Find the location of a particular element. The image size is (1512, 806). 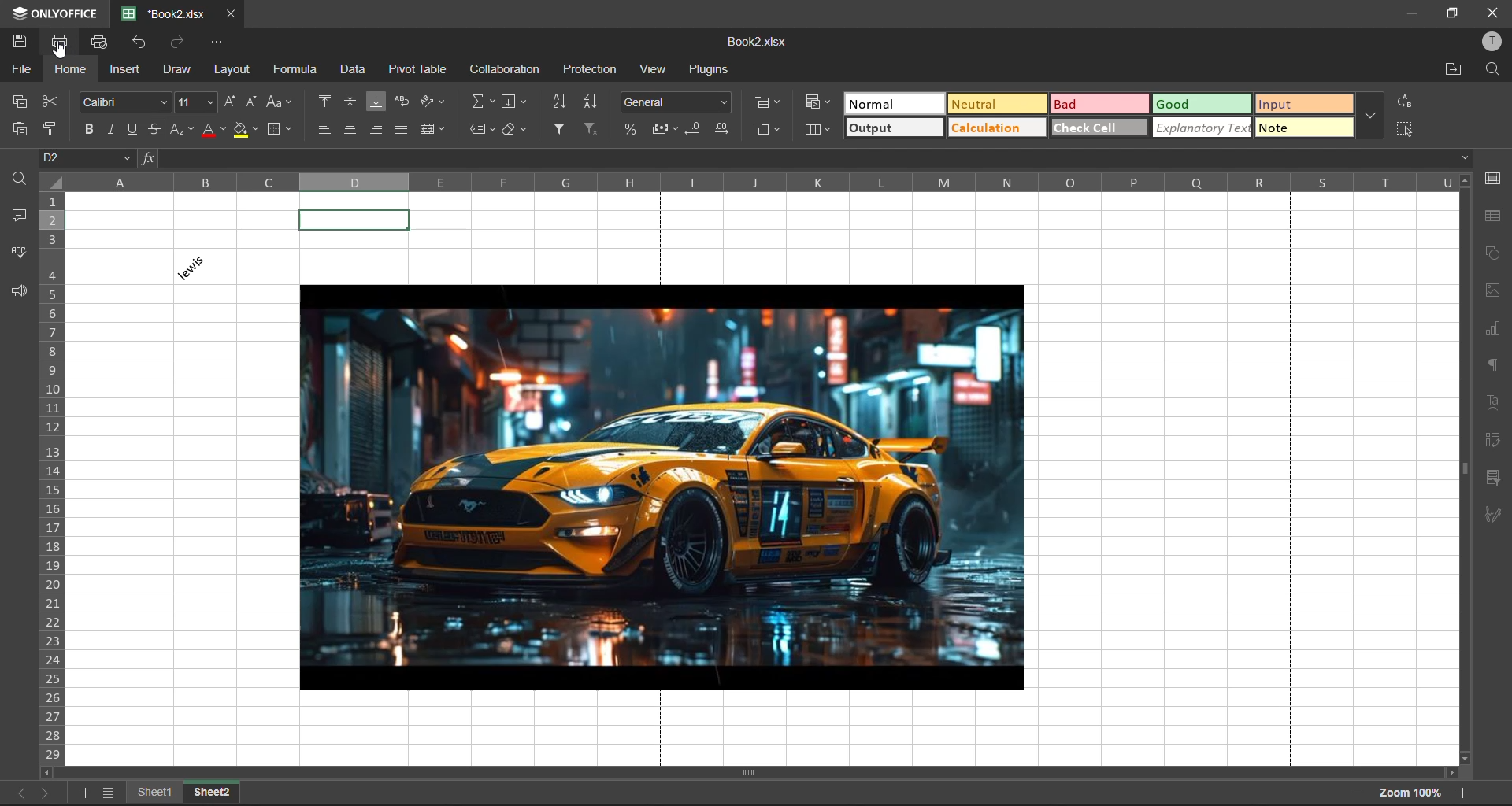

filter is located at coordinates (561, 128).